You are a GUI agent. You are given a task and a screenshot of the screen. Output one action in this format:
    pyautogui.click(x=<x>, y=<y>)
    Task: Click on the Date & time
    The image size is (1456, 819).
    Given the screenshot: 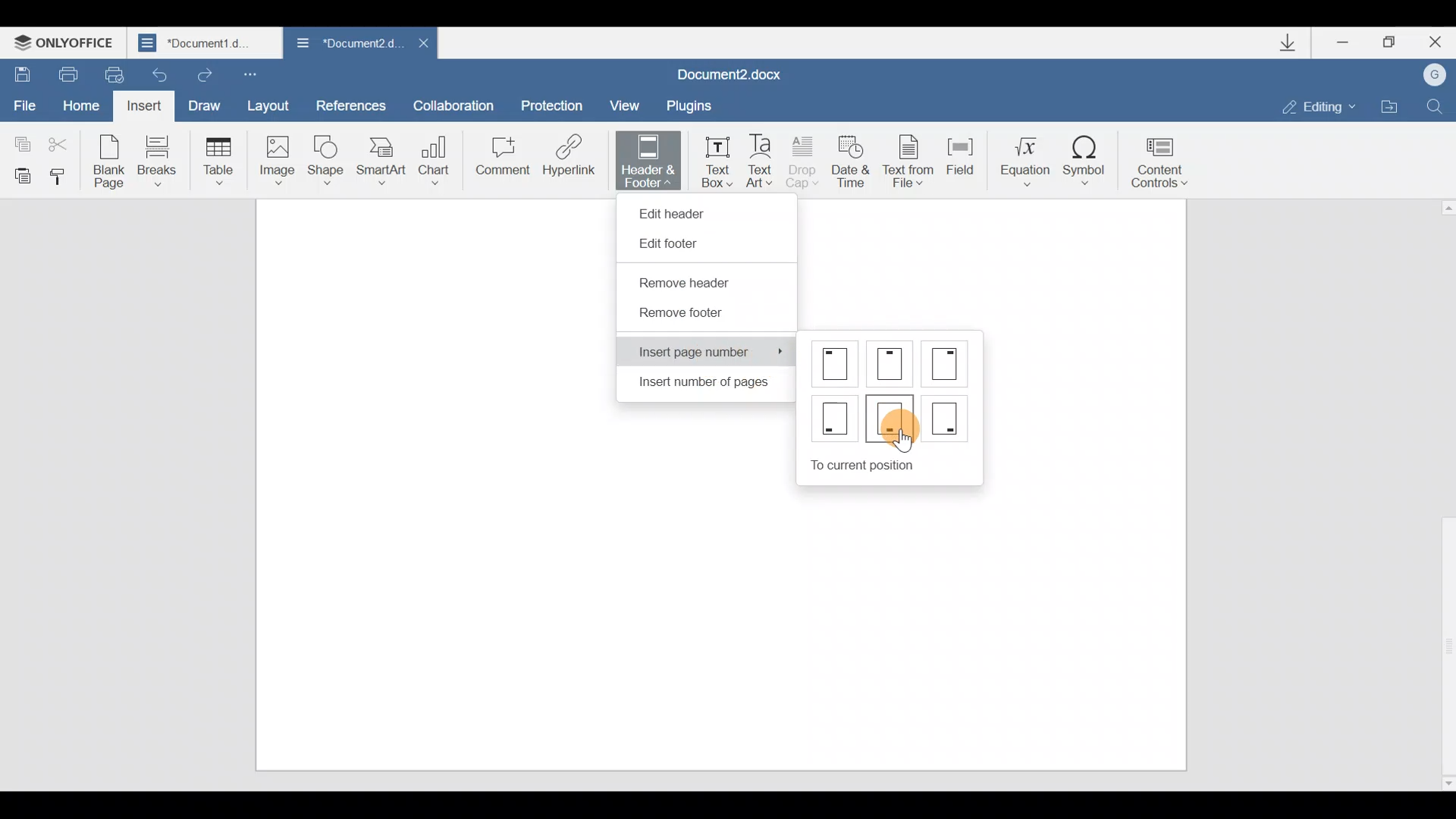 What is the action you would take?
    pyautogui.click(x=851, y=158)
    